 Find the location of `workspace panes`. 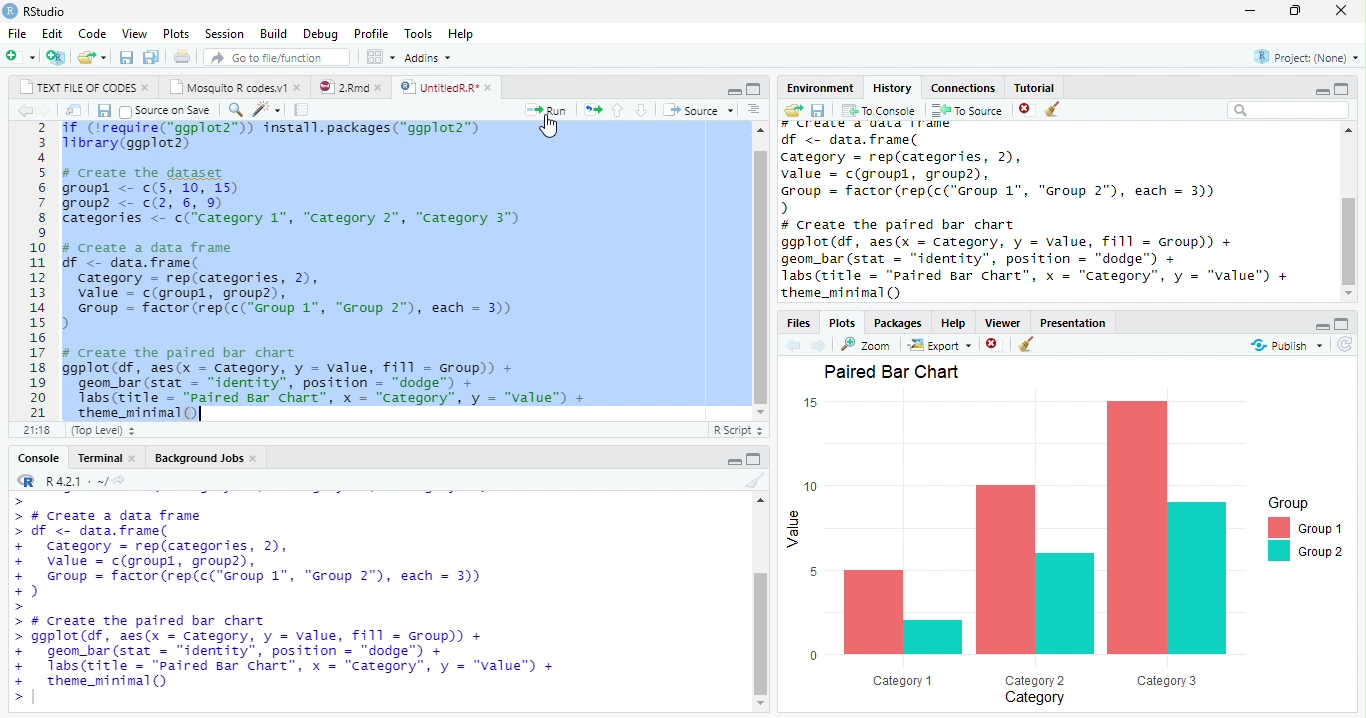

workspace panes is located at coordinates (378, 58).